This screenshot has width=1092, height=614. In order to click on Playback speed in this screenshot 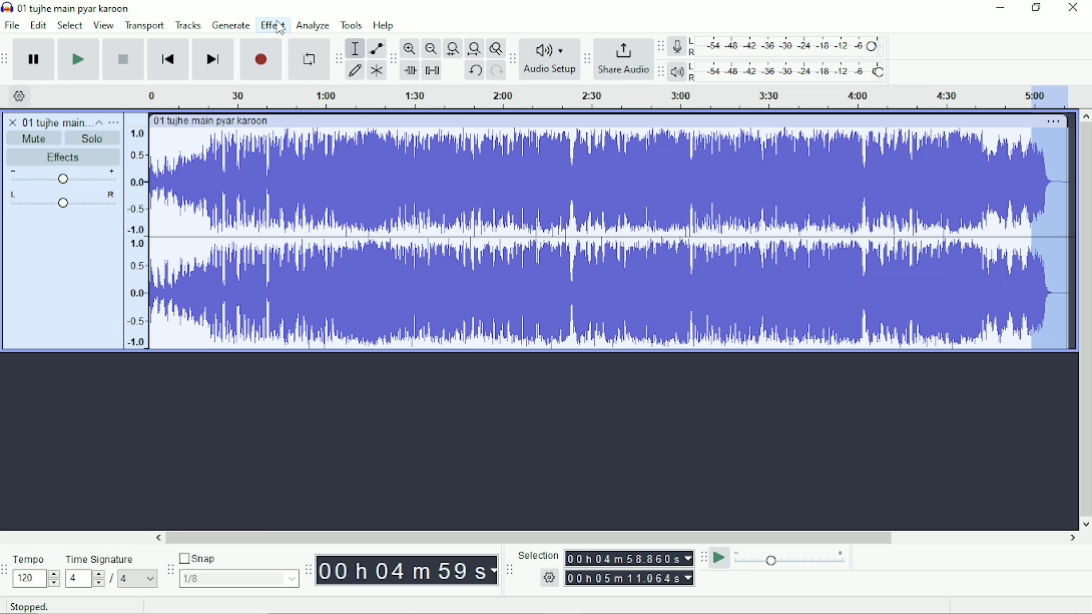, I will do `click(794, 558)`.